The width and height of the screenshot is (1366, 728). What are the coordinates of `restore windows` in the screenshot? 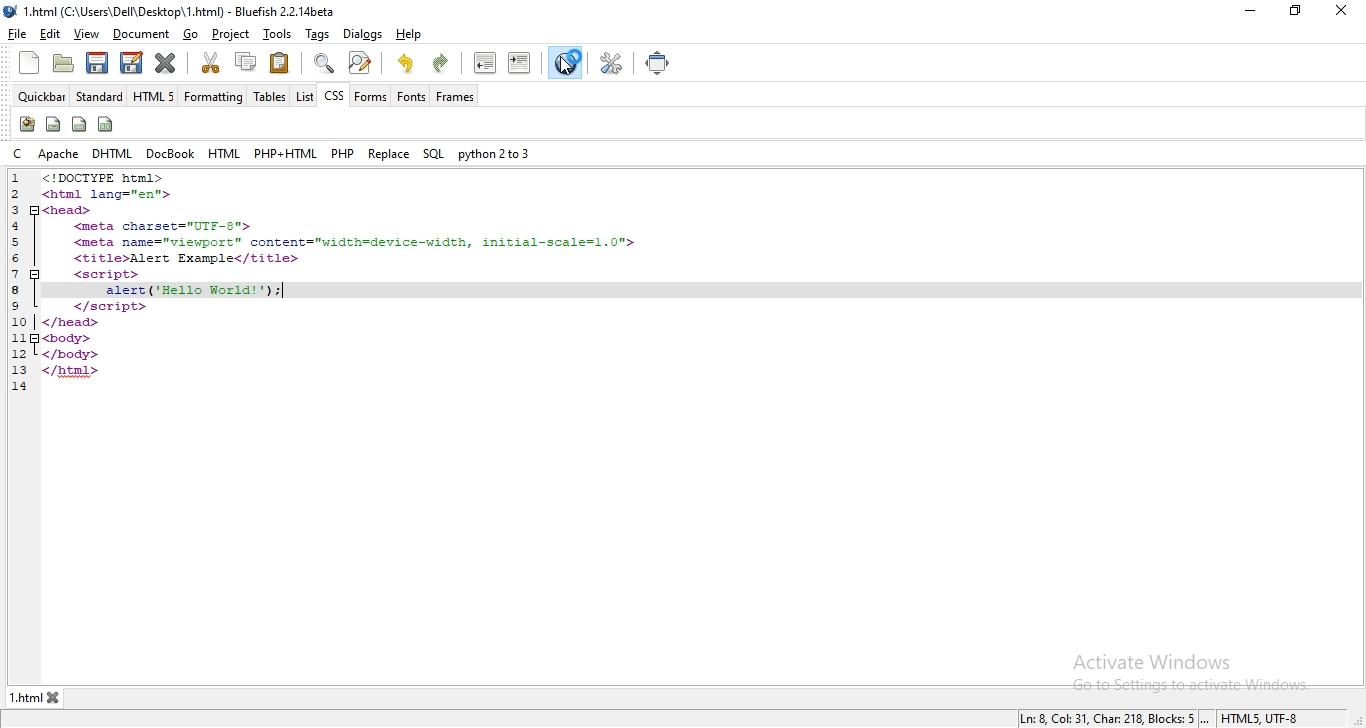 It's located at (1297, 10).